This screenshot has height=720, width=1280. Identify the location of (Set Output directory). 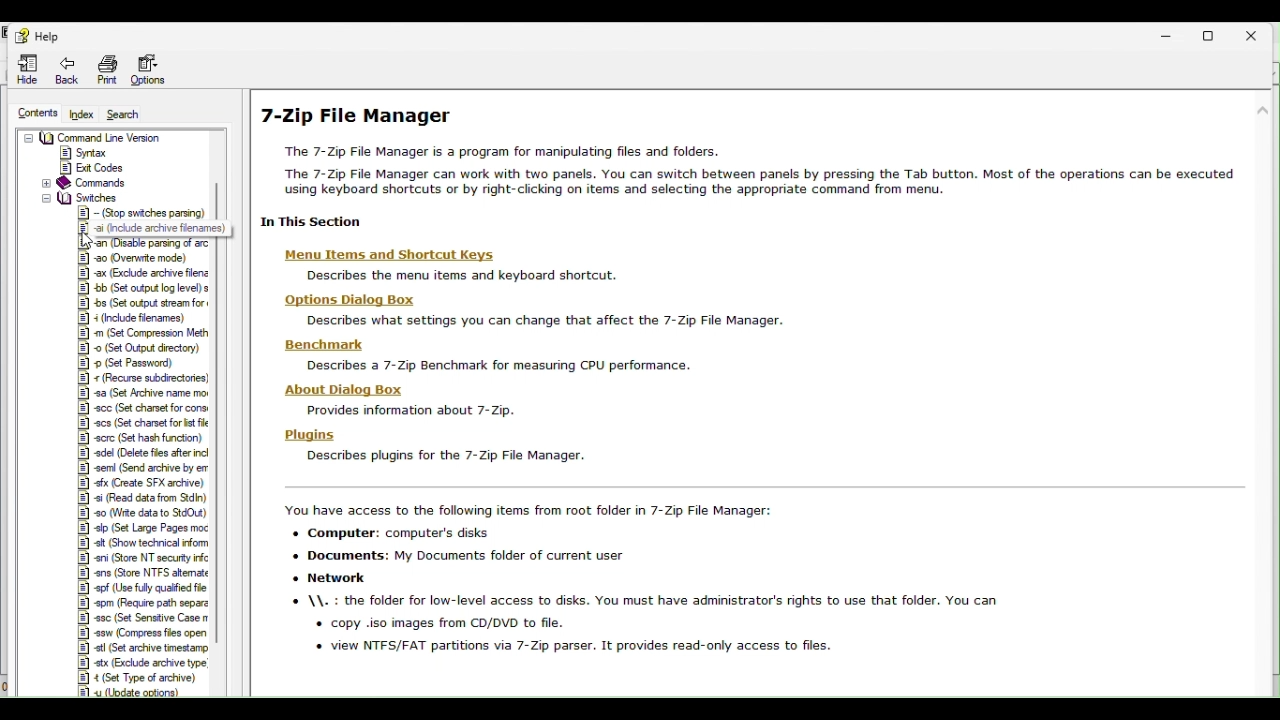
(141, 346).